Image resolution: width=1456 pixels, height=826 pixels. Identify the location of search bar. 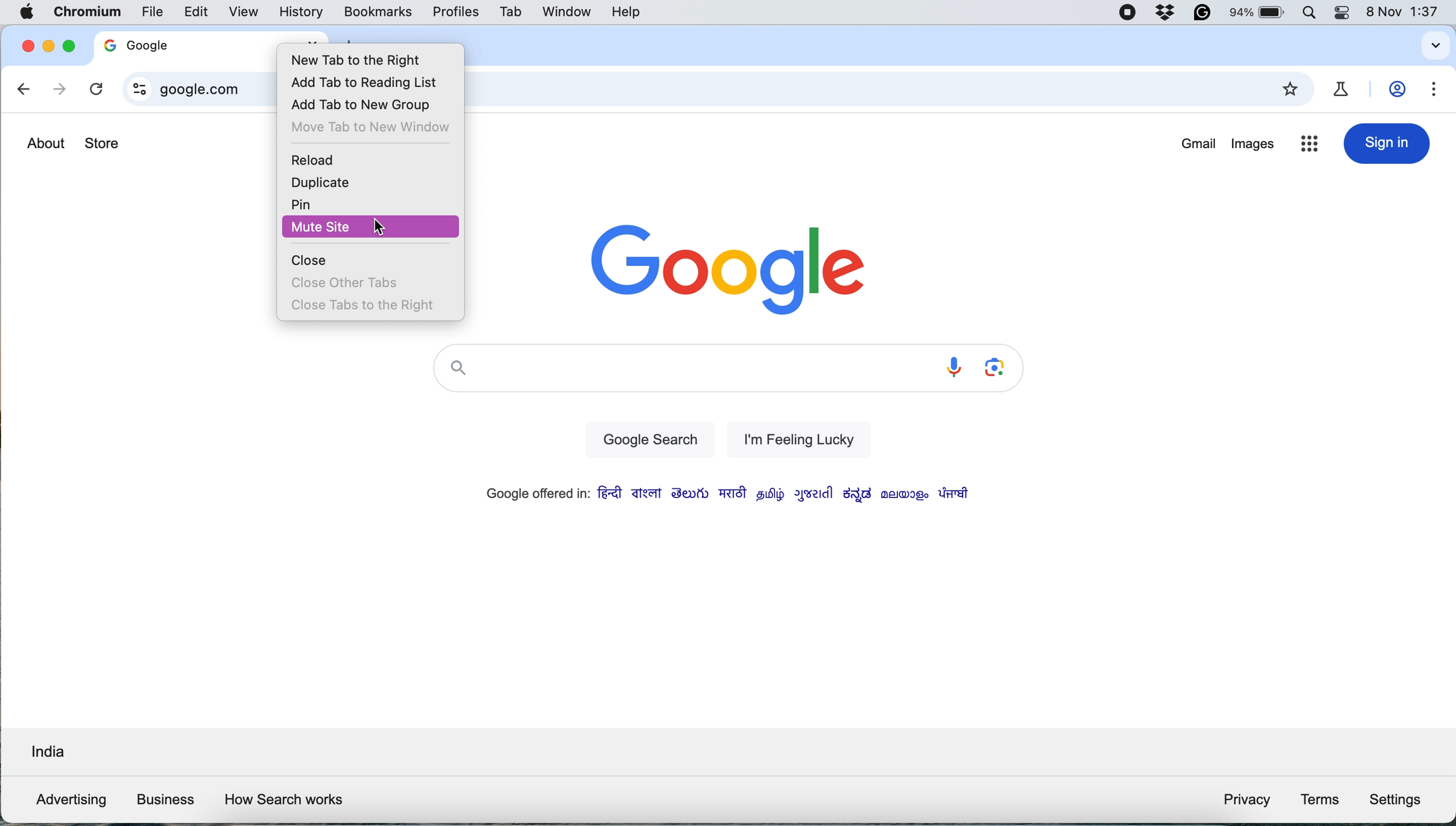
(680, 371).